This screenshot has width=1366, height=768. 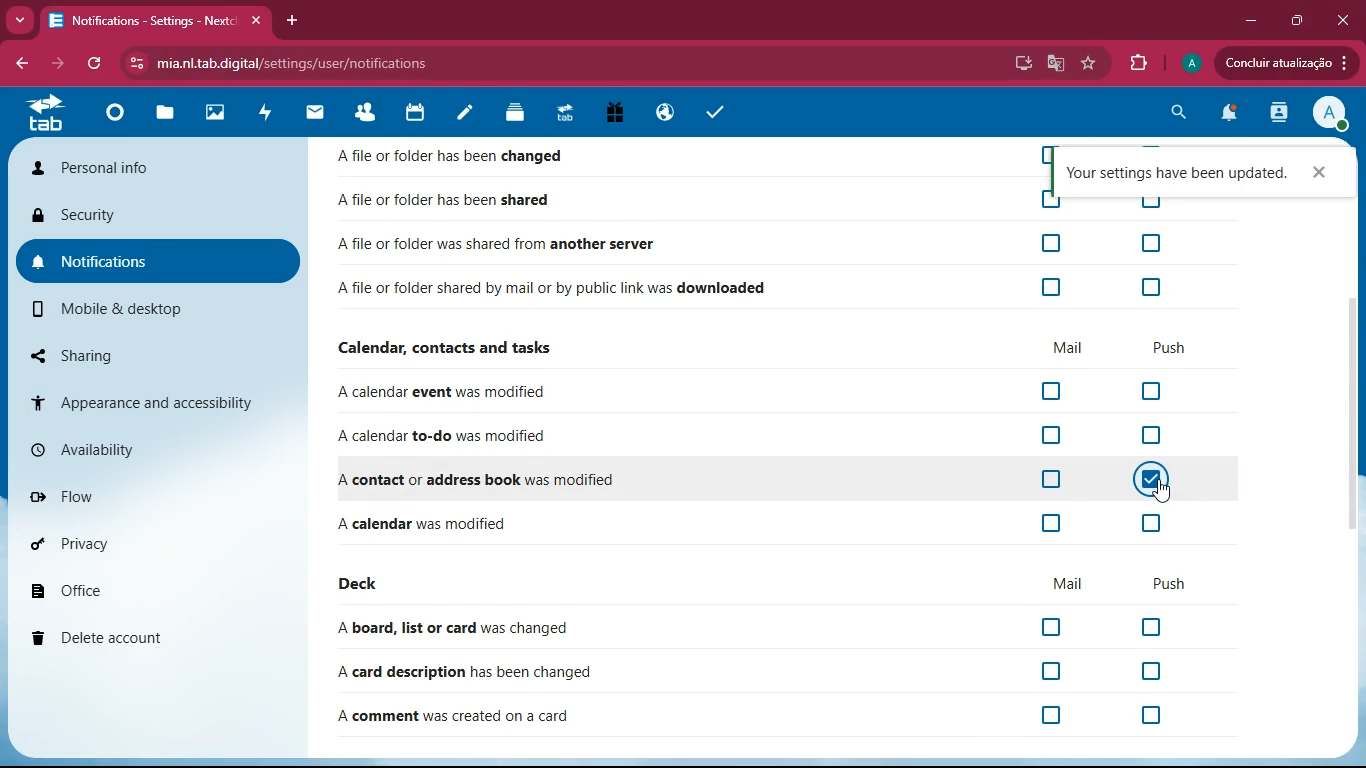 I want to click on push, so click(x=1177, y=347).